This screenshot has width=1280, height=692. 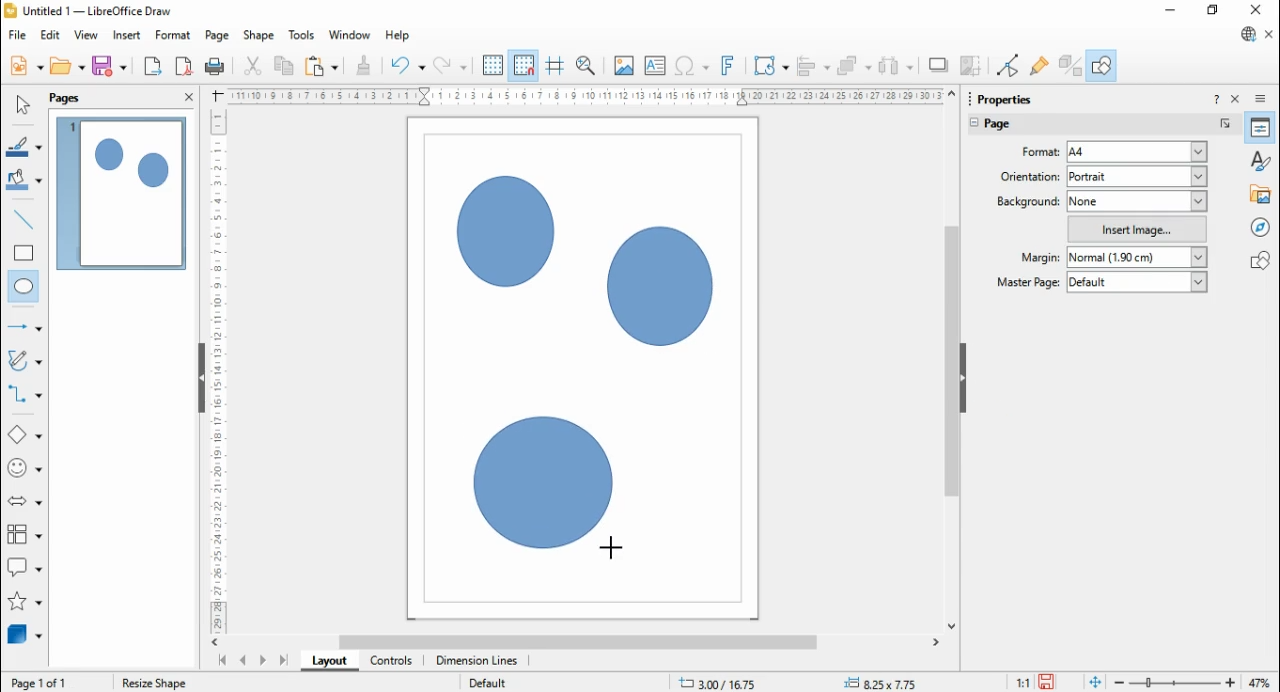 What do you see at coordinates (547, 487) in the screenshot?
I see `Circle shape` at bounding box center [547, 487].